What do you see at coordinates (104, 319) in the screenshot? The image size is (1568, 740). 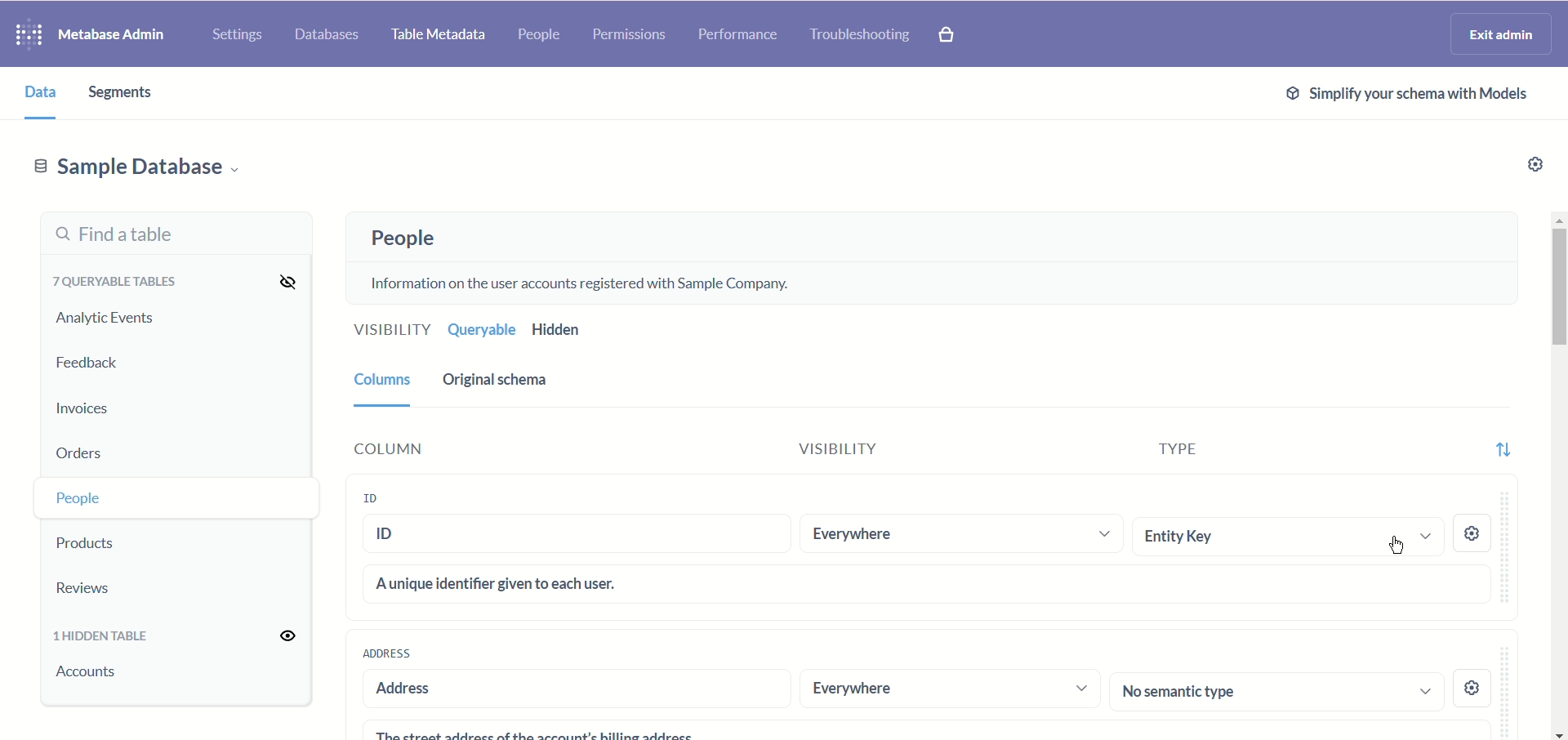 I see `Analytic events` at bounding box center [104, 319].